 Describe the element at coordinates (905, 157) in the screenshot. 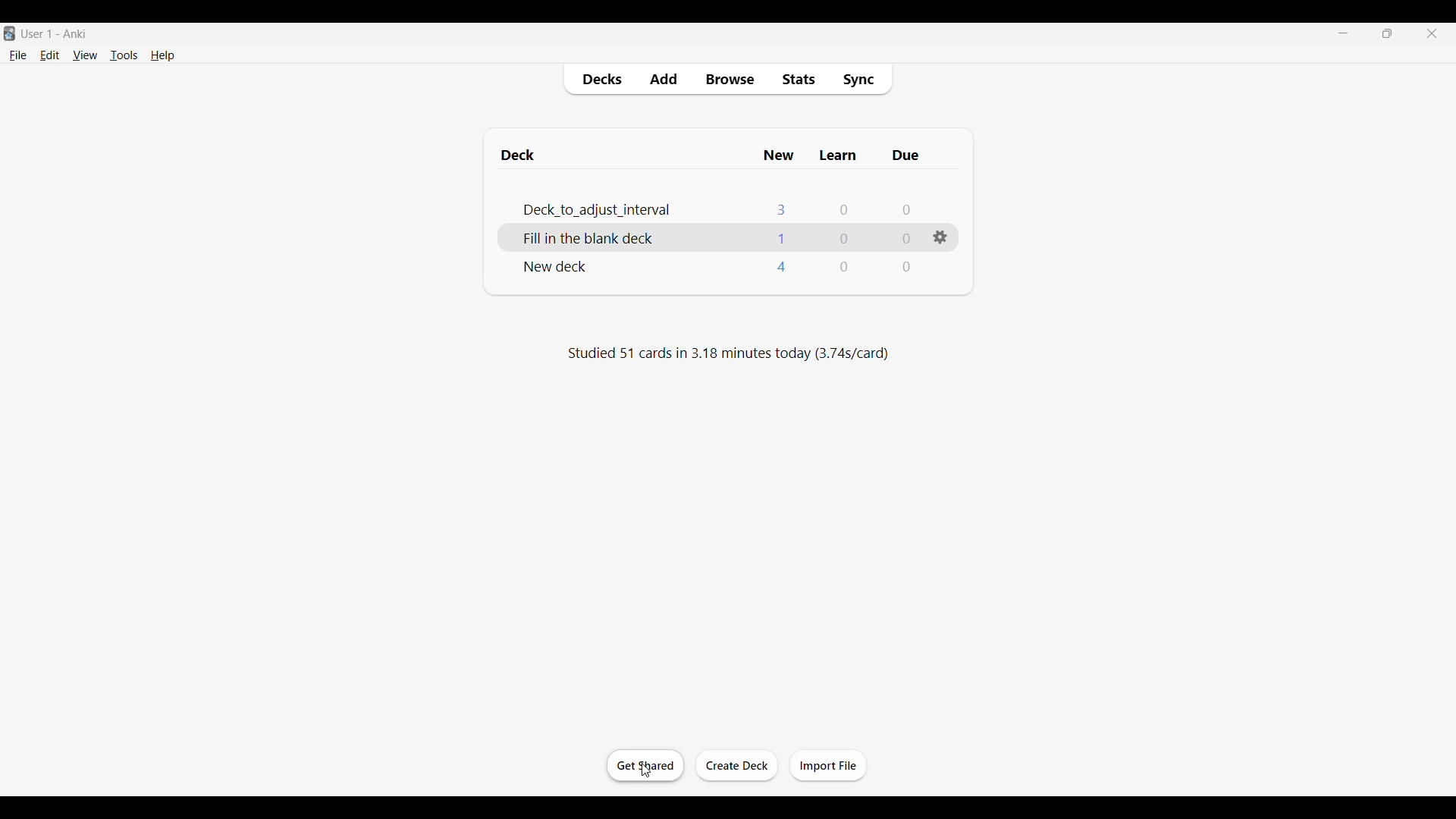

I see `Due` at that location.